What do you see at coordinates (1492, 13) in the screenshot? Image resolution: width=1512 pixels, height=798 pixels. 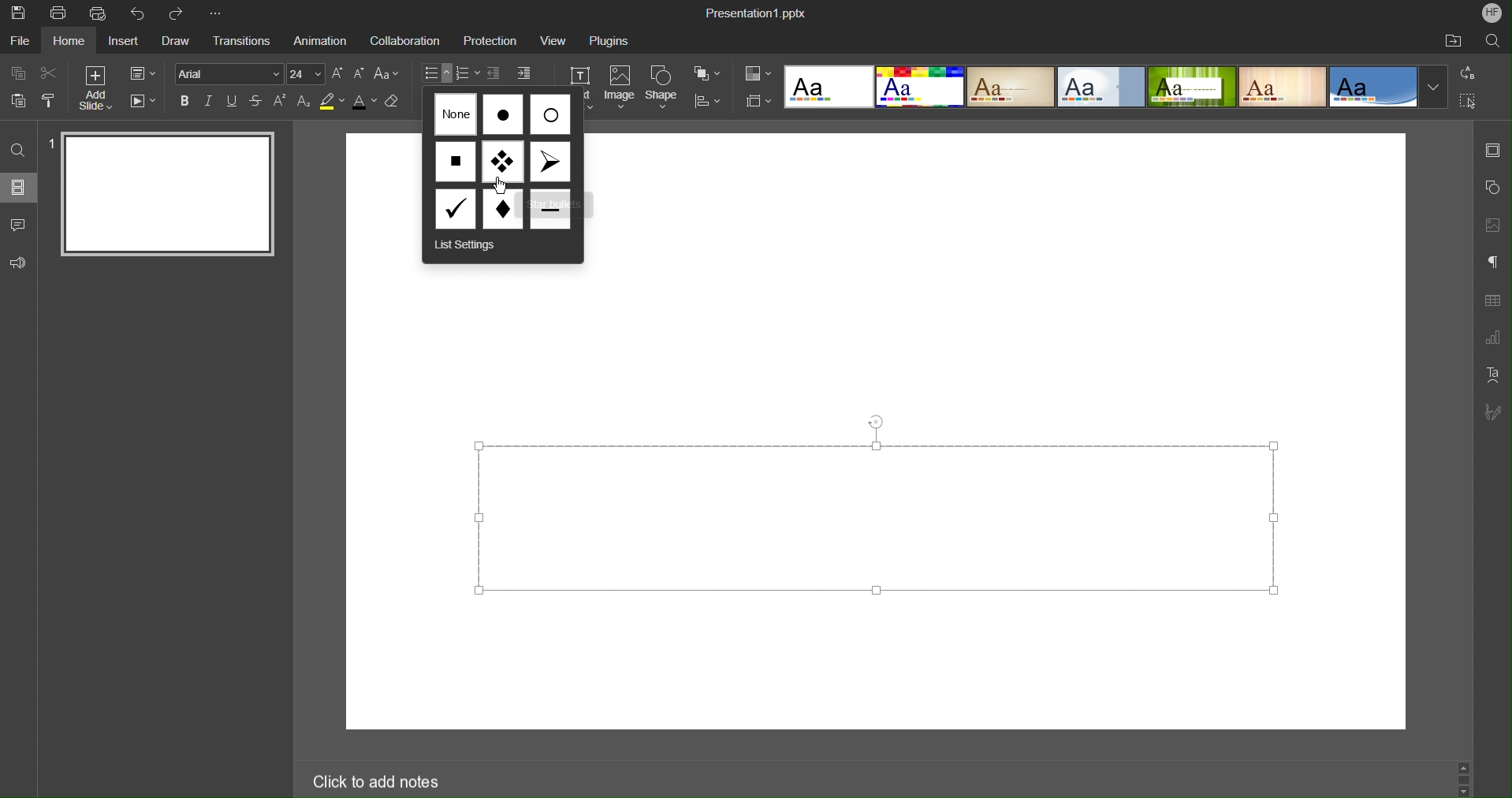 I see `Account` at bounding box center [1492, 13].